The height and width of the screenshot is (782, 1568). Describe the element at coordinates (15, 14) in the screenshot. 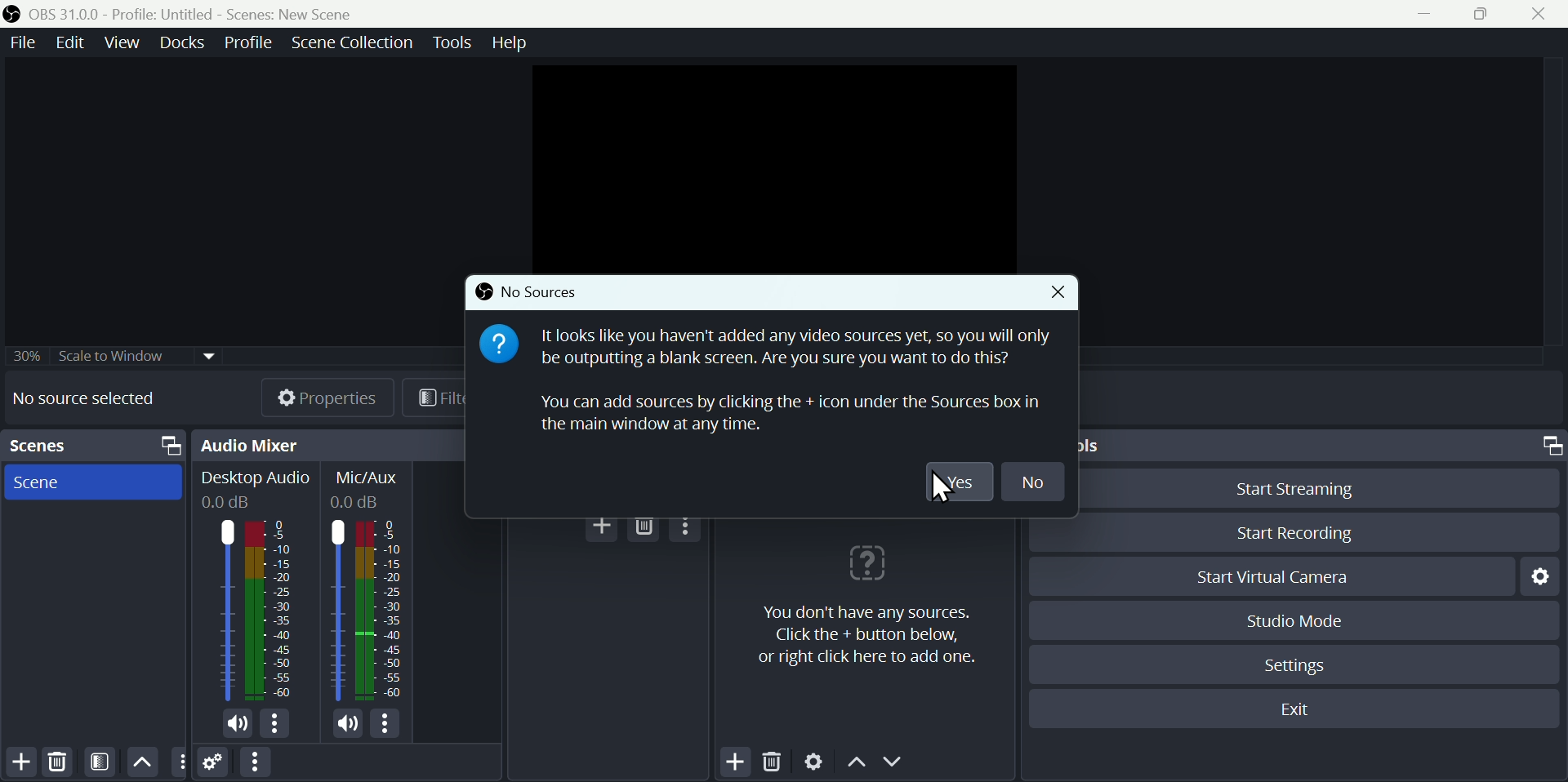

I see `icon` at that location.